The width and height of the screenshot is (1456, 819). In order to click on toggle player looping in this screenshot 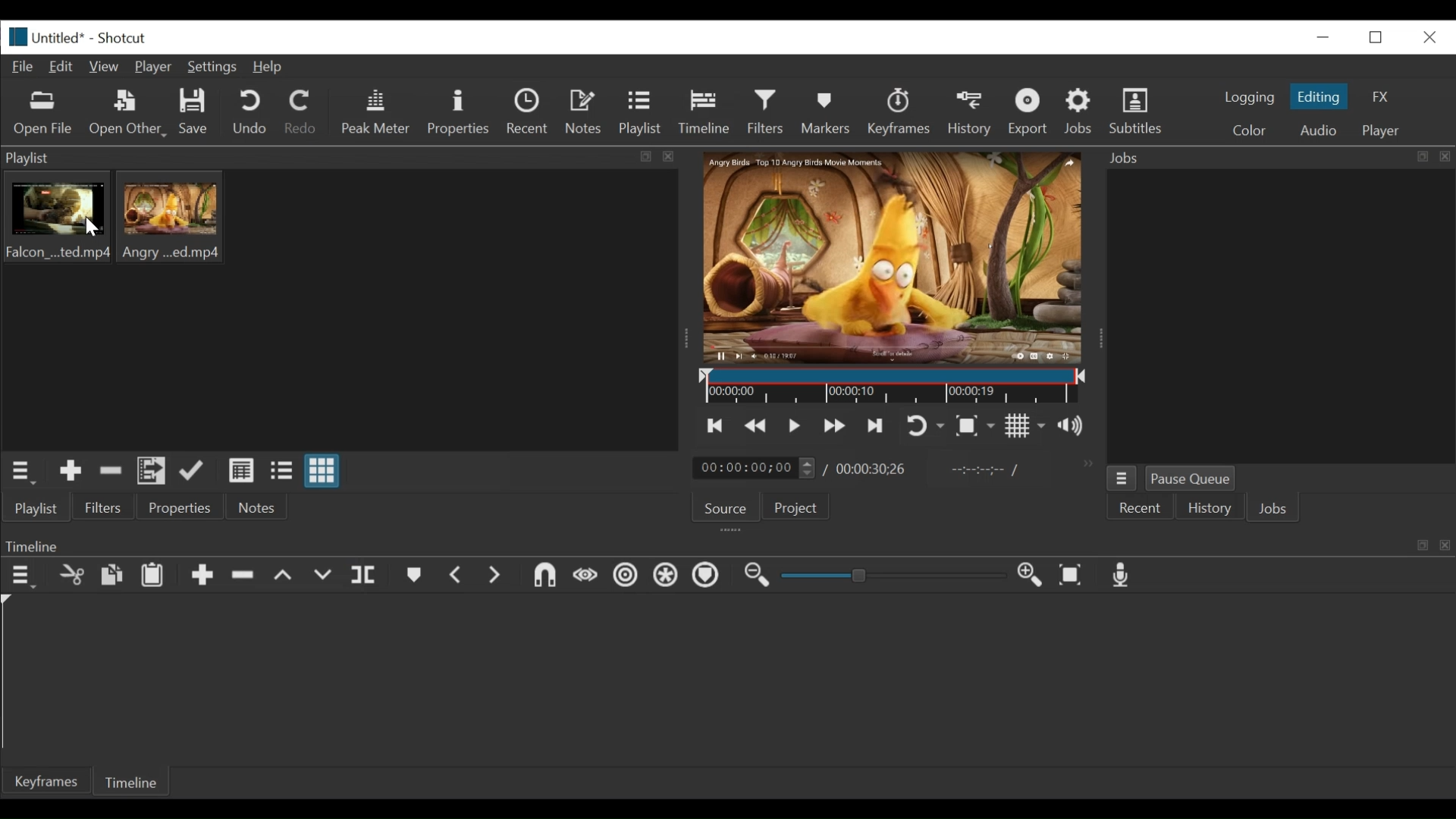, I will do `click(925, 427)`.